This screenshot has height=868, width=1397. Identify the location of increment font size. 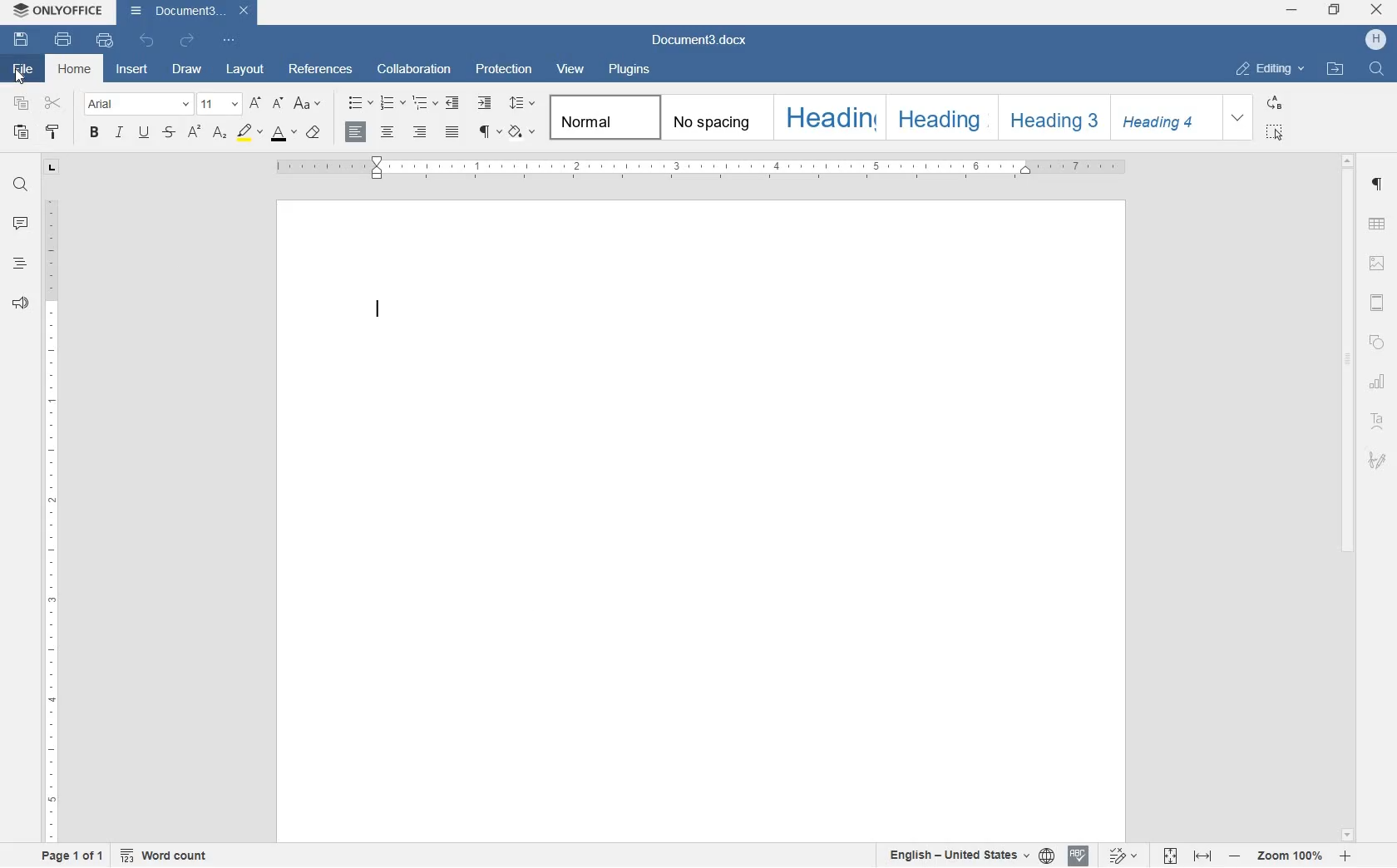
(254, 103).